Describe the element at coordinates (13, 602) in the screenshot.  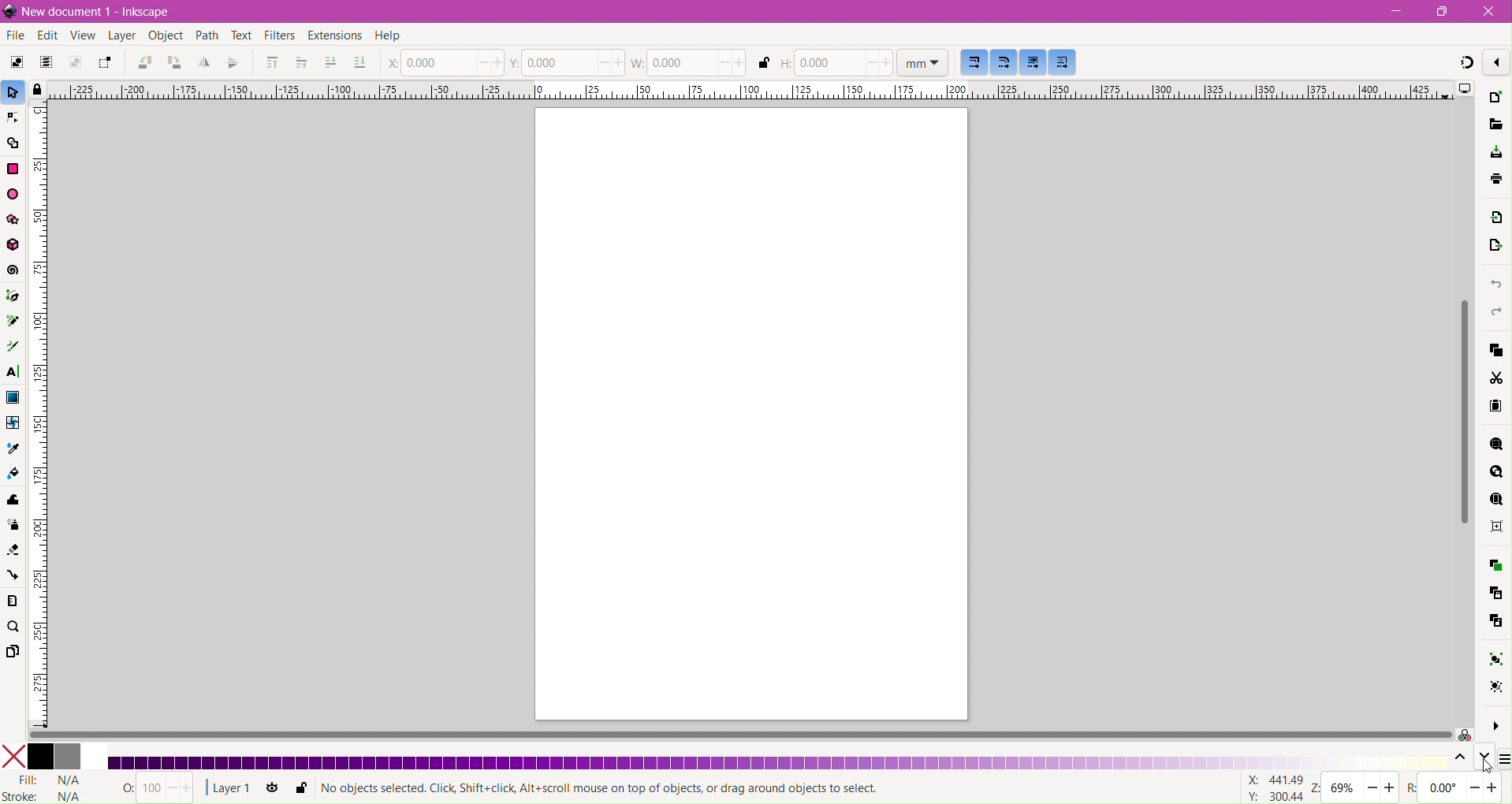
I see `Measure Tool` at that location.